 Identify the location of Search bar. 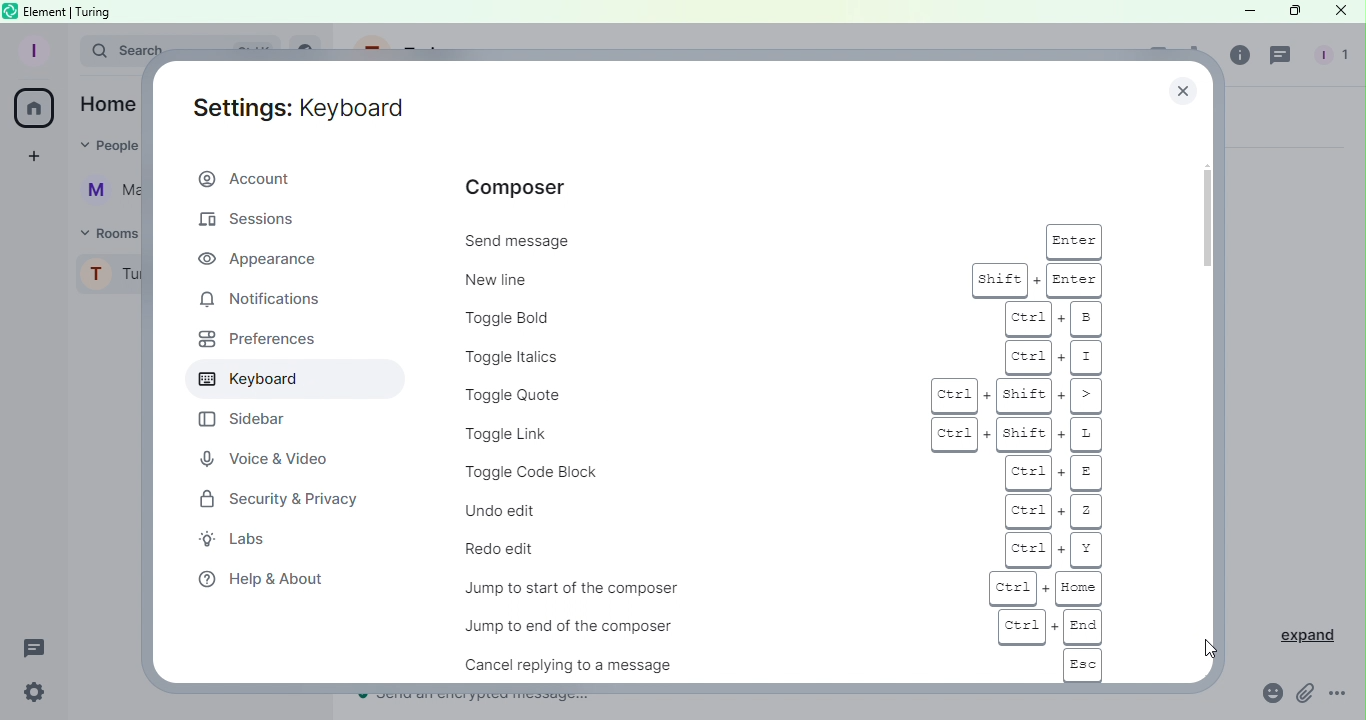
(117, 48).